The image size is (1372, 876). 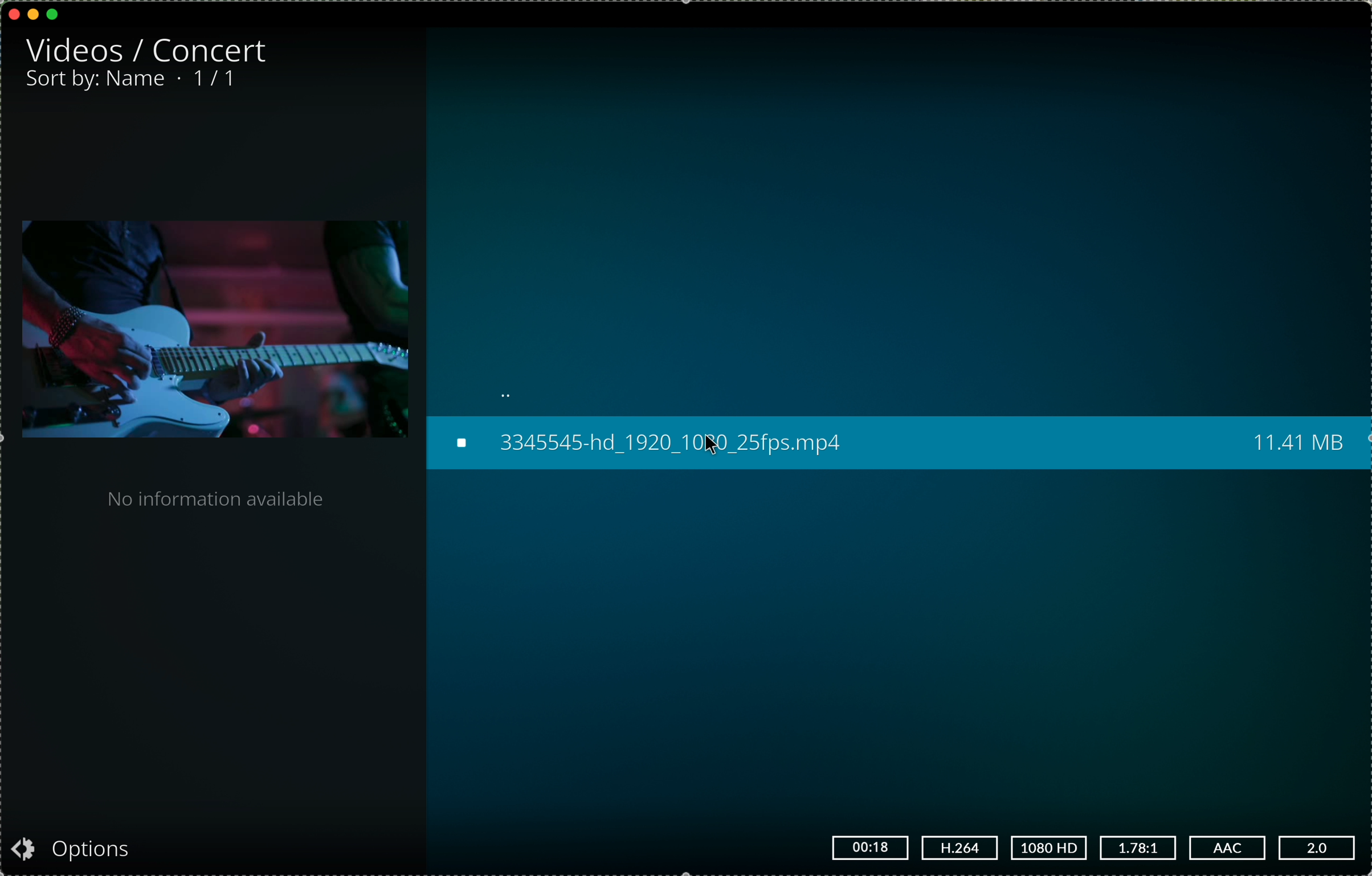 What do you see at coordinates (74, 848) in the screenshot?
I see `options` at bounding box center [74, 848].